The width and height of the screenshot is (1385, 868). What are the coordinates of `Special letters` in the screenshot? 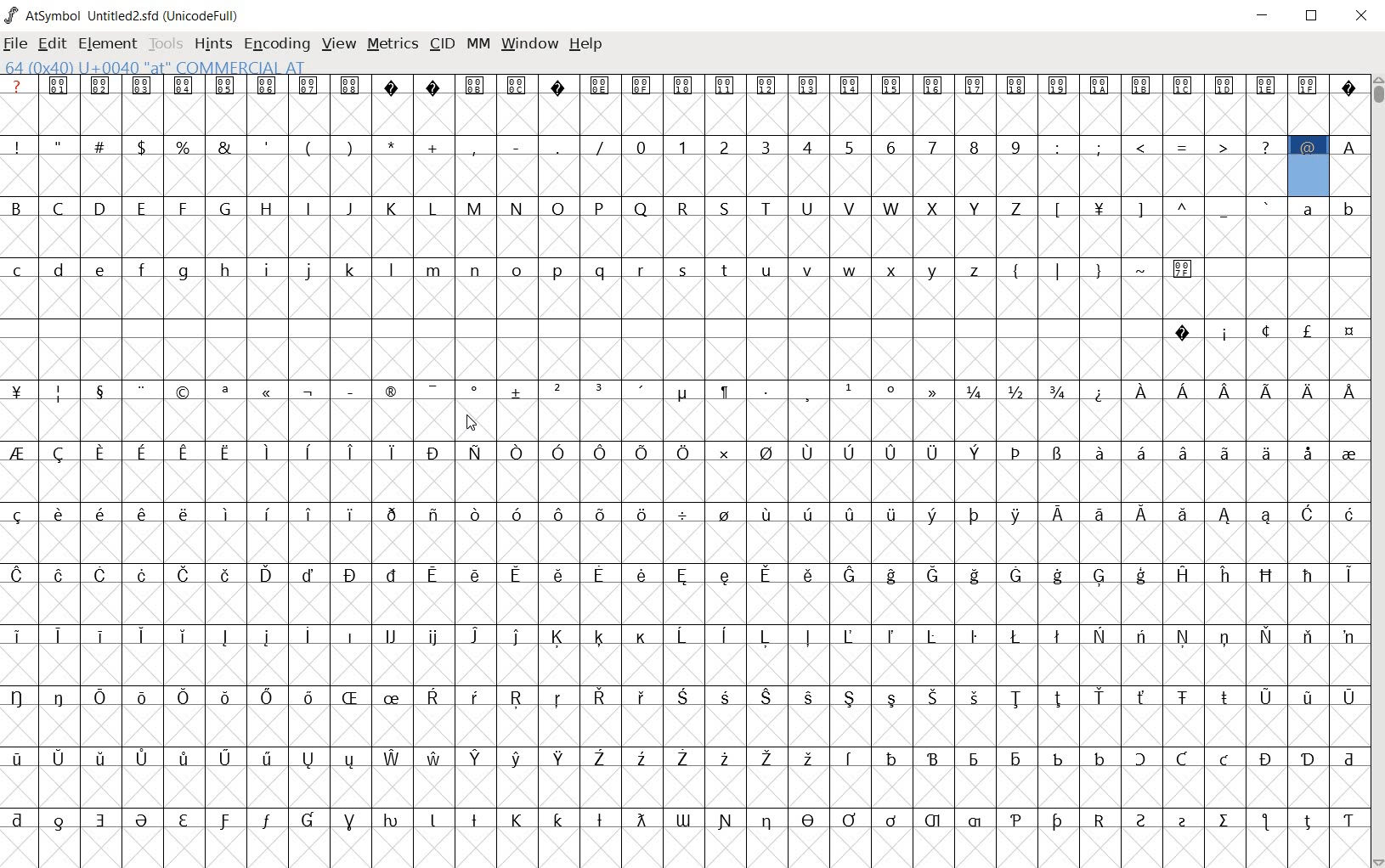 It's located at (1225, 392).